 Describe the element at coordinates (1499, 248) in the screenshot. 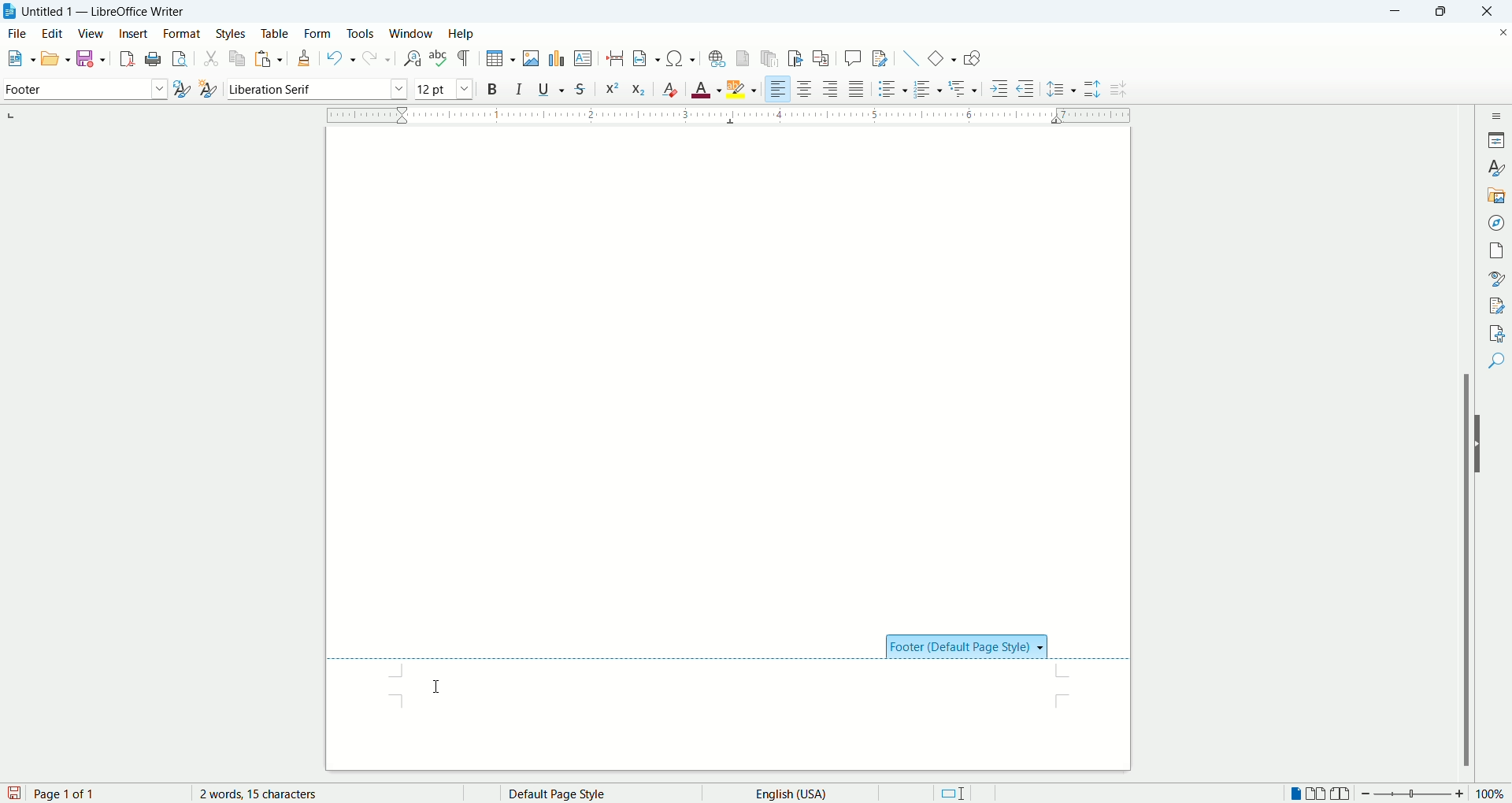

I see `page` at that location.